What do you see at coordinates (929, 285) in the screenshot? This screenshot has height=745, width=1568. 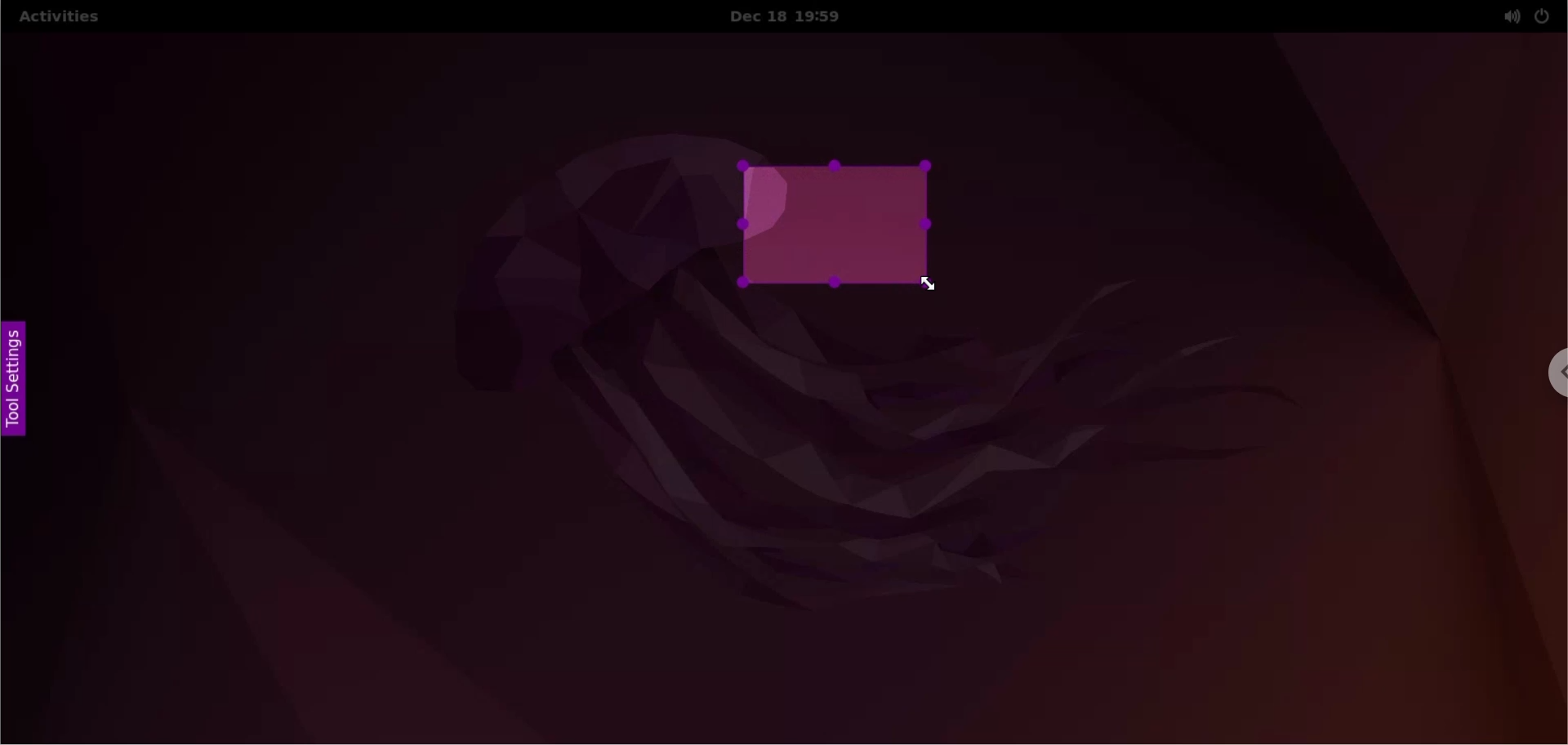 I see `cursor` at bounding box center [929, 285].